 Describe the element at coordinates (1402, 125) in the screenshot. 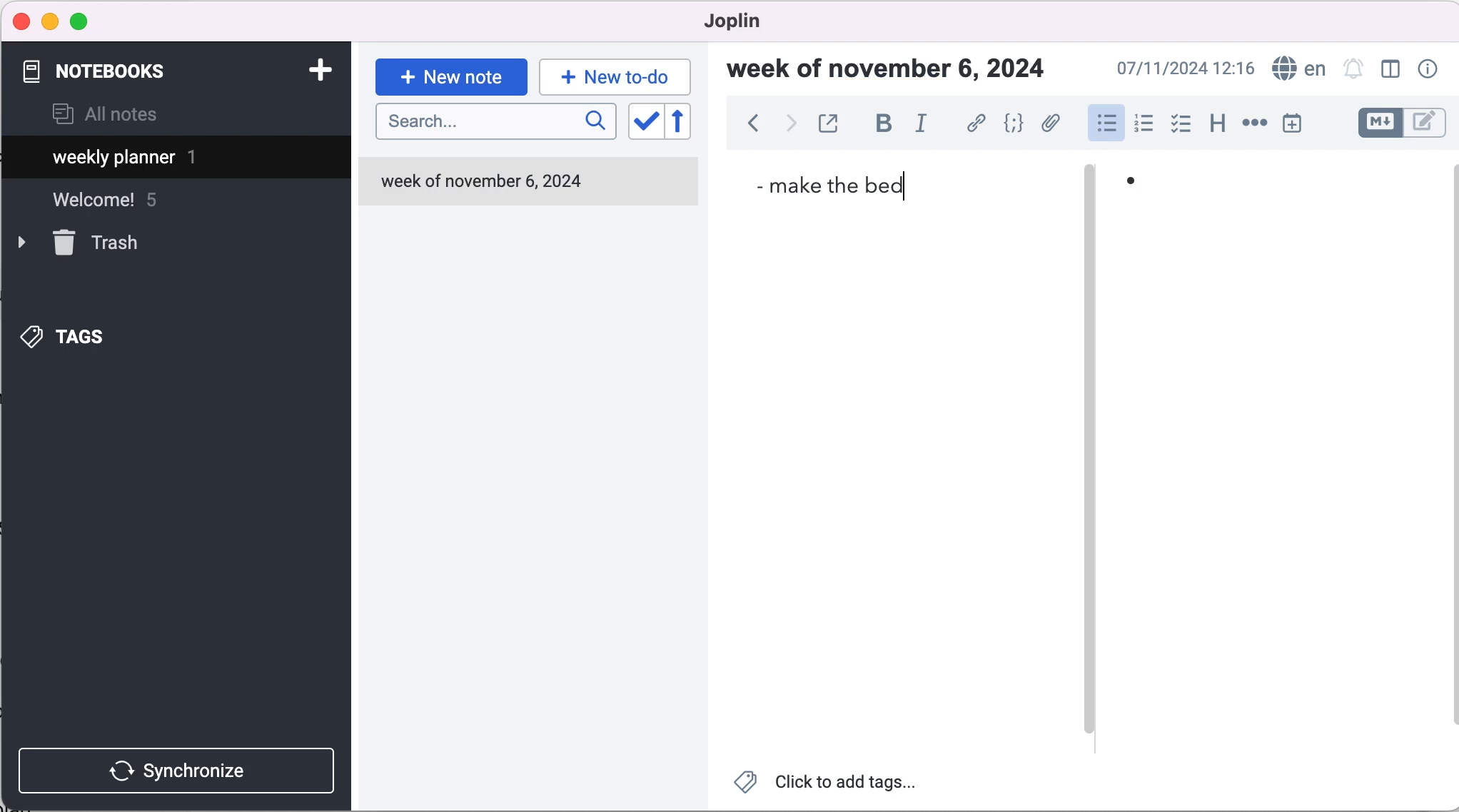

I see `toggle editors` at that location.